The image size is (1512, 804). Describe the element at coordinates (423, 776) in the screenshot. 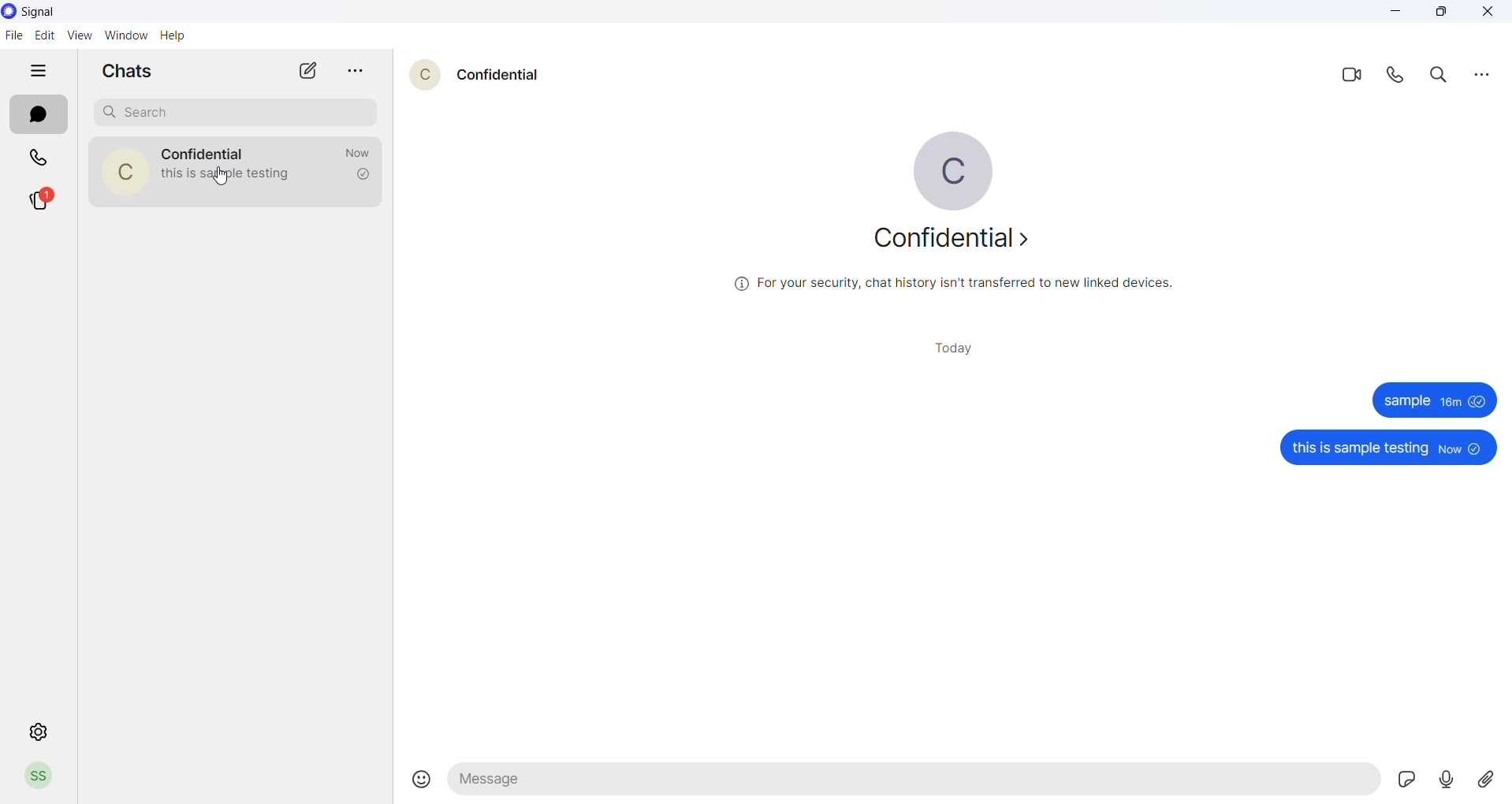

I see `emoji` at that location.